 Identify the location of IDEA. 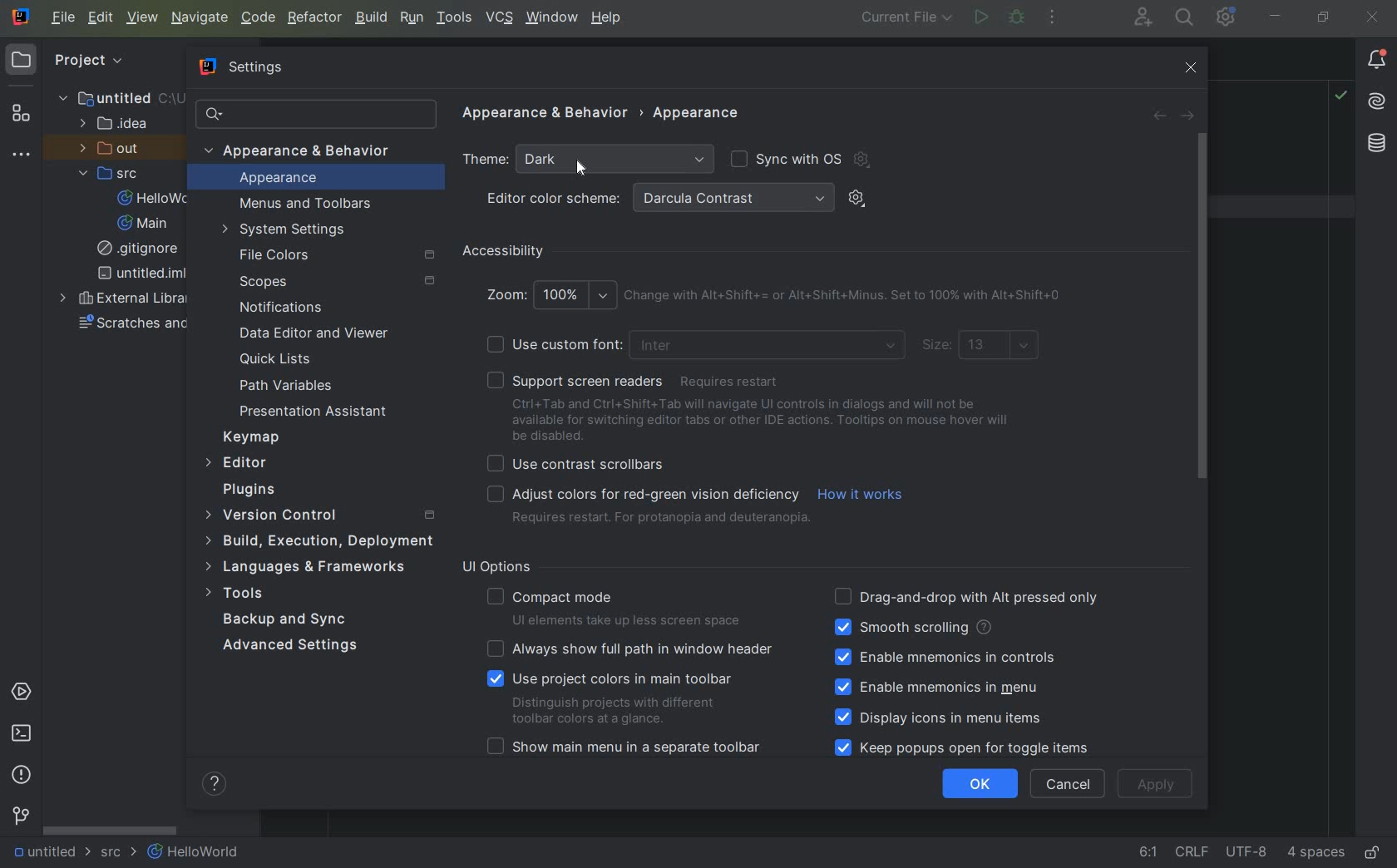
(118, 124).